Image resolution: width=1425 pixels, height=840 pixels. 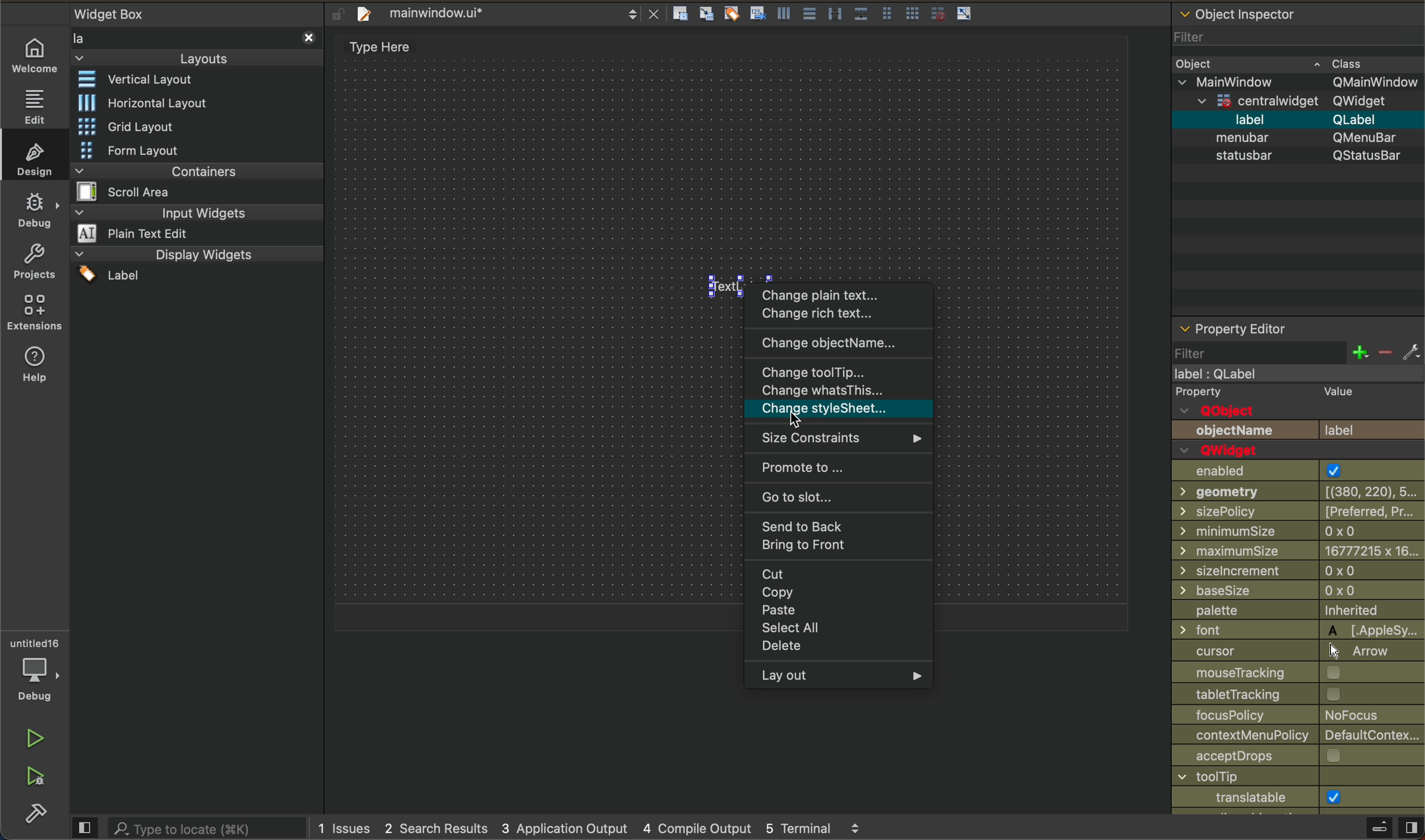 What do you see at coordinates (134, 124) in the screenshot?
I see `grid layout` at bounding box center [134, 124].